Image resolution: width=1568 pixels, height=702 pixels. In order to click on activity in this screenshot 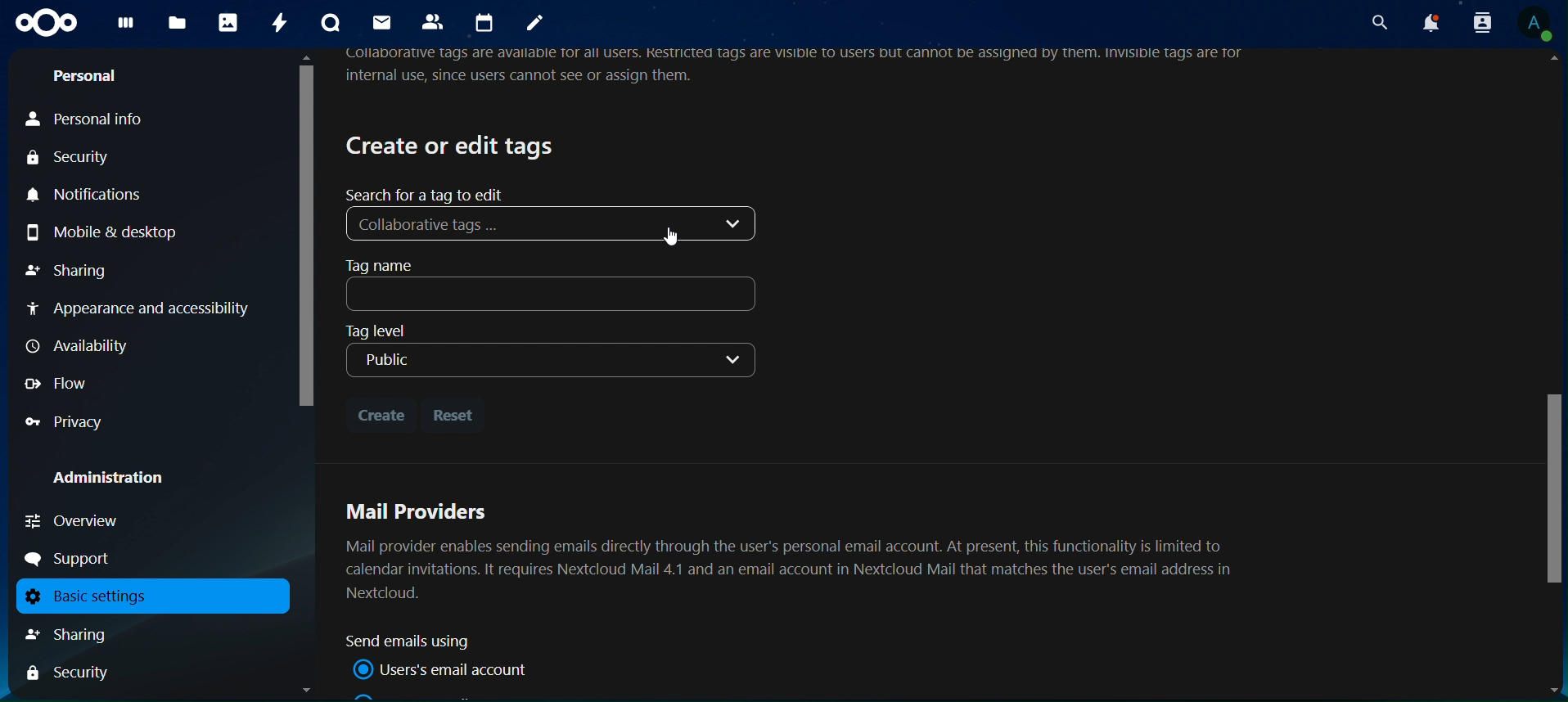, I will do `click(282, 23)`.